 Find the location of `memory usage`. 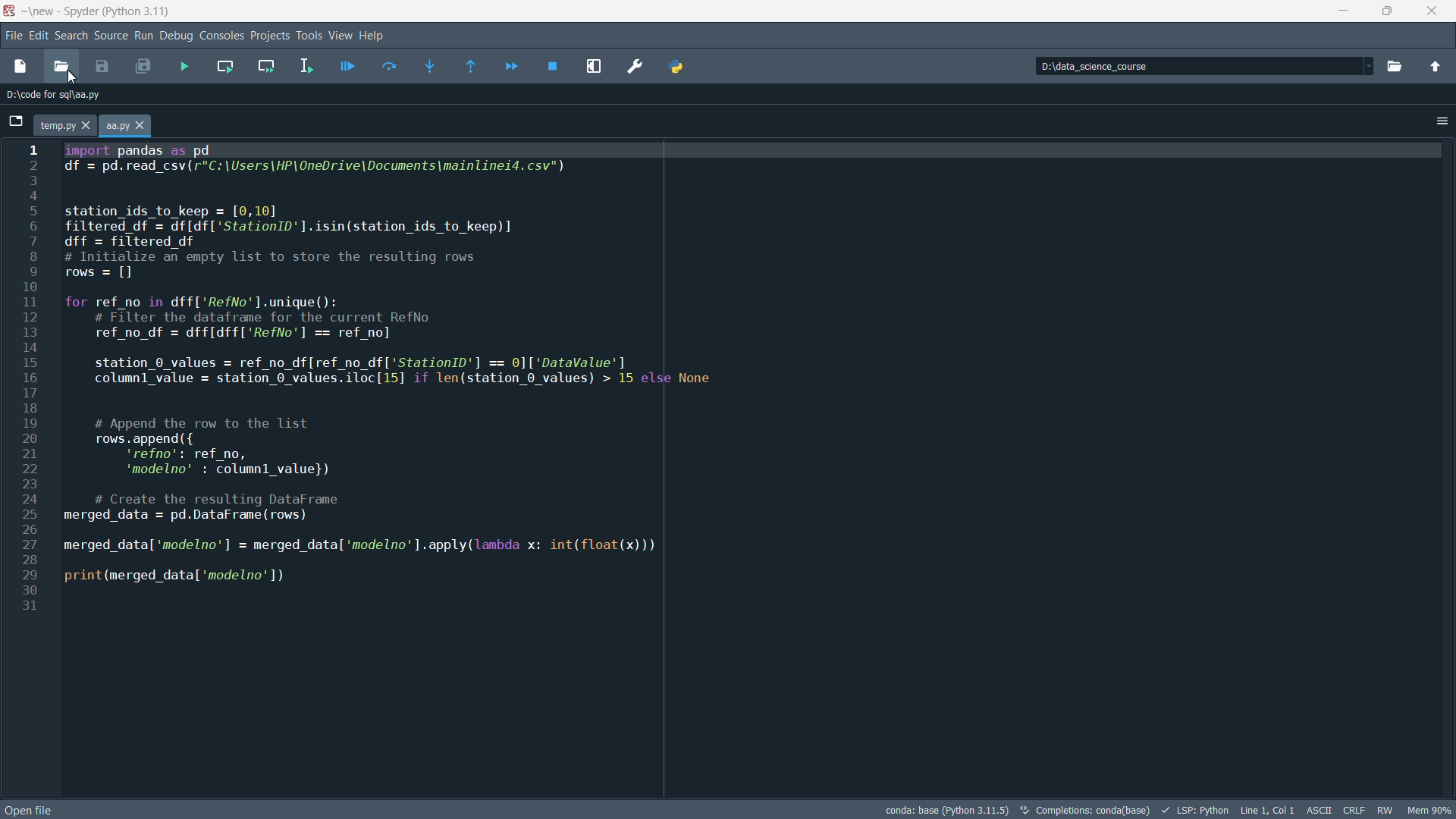

memory usage is located at coordinates (1428, 810).